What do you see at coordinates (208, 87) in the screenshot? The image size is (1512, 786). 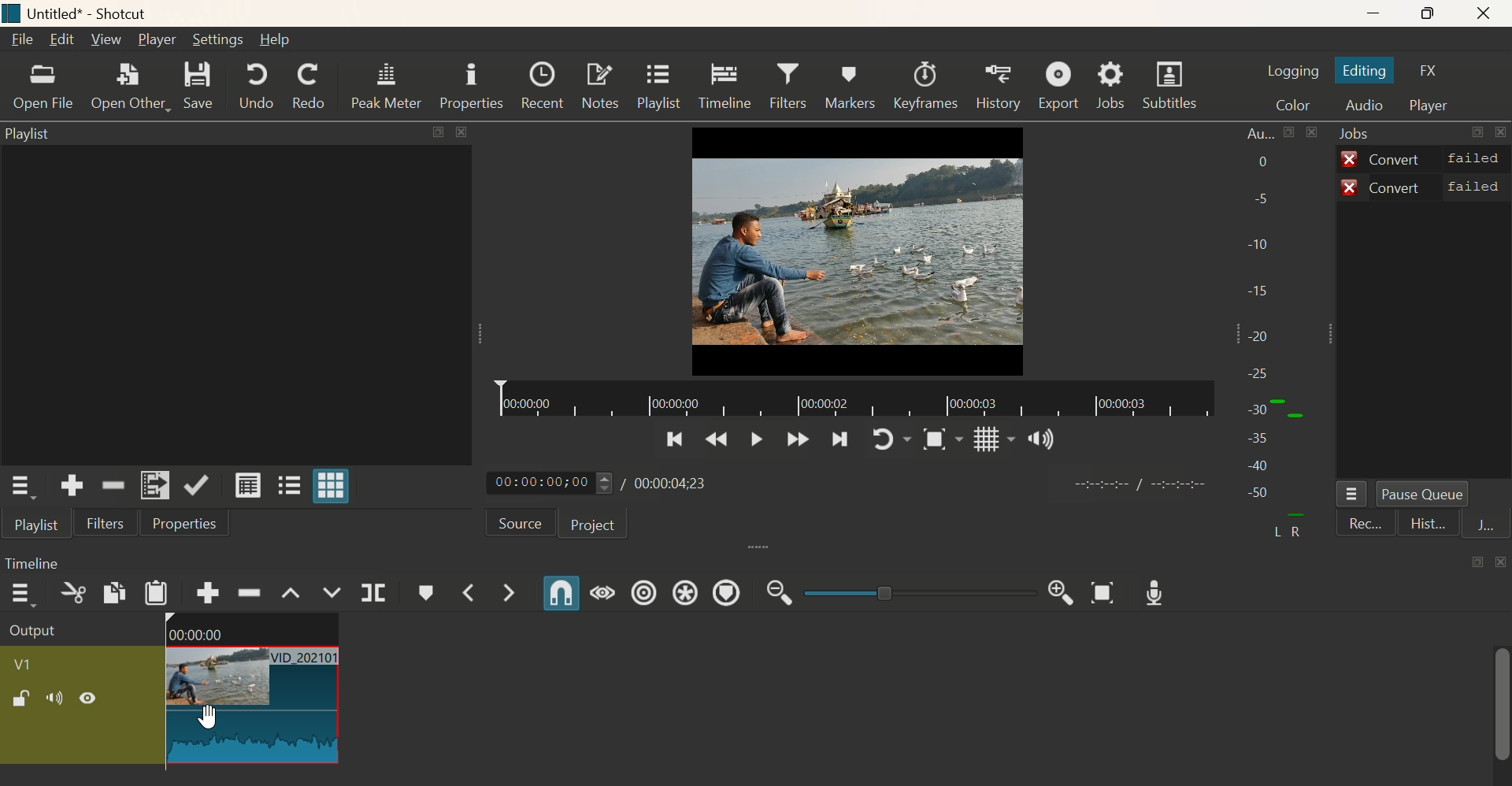 I see `Save` at bounding box center [208, 87].